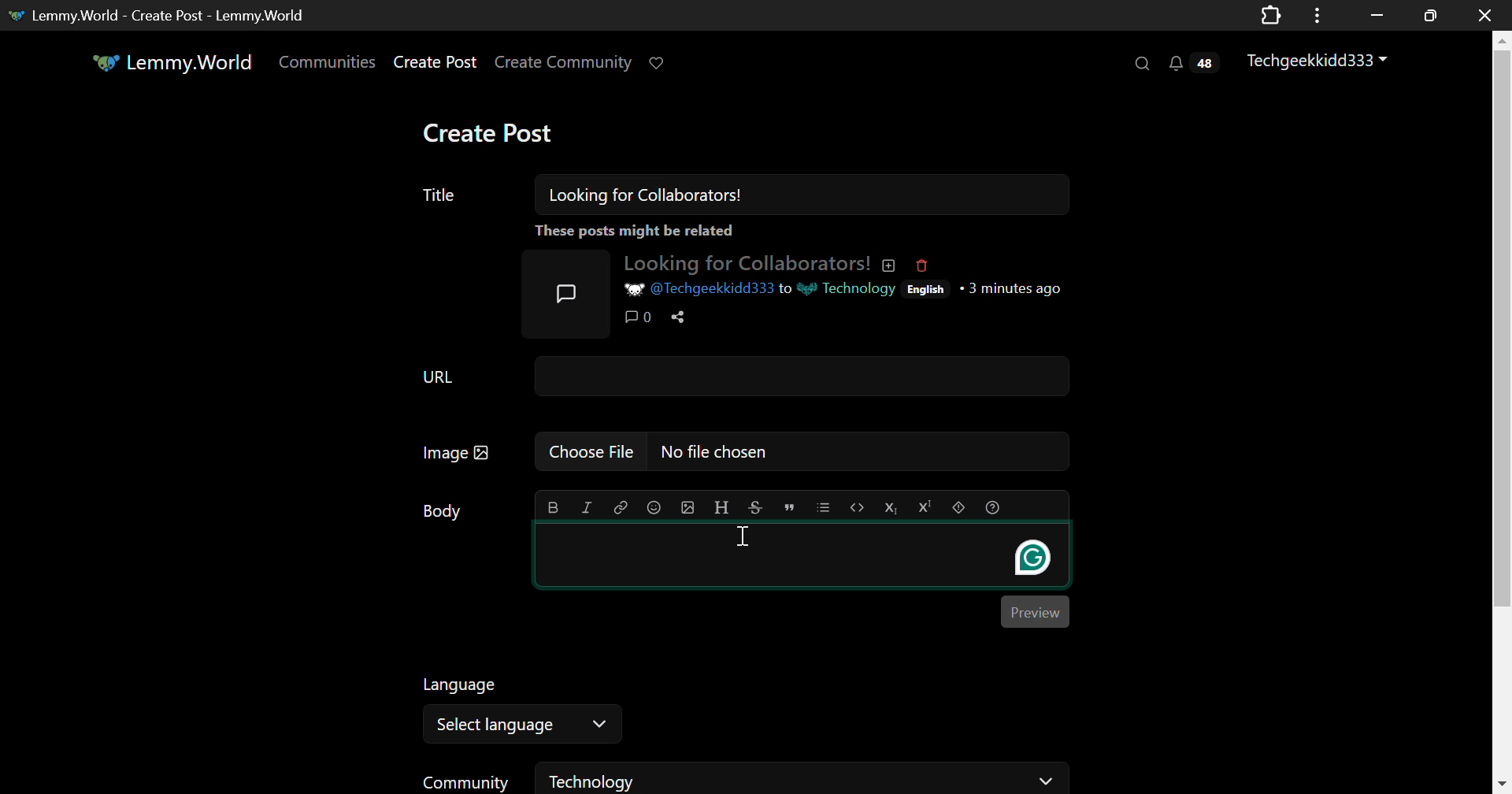 This screenshot has width=1512, height=794. What do you see at coordinates (676, 317) in the screenshot?
I see `Share` at bounding box center [676, 317].